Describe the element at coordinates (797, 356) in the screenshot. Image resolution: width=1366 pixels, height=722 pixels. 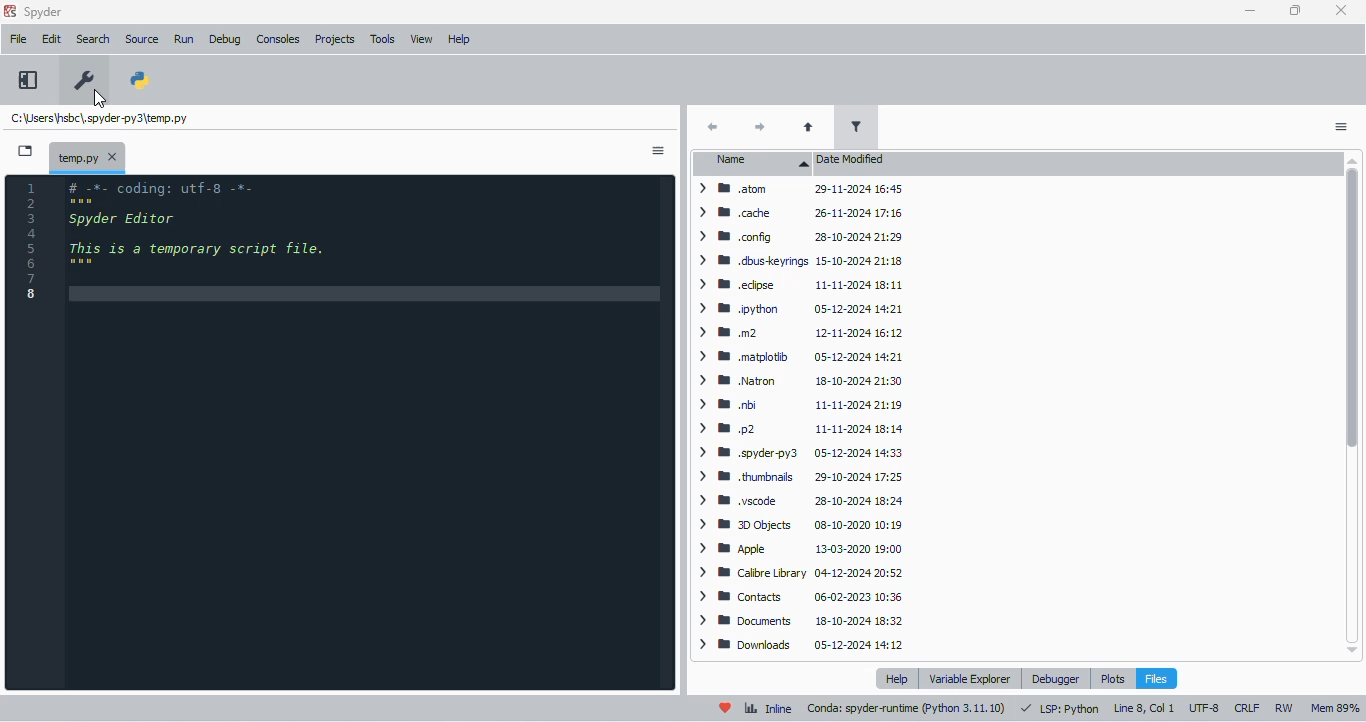
I see `> BB matplotib 05-12-2024 14:21` at that location.